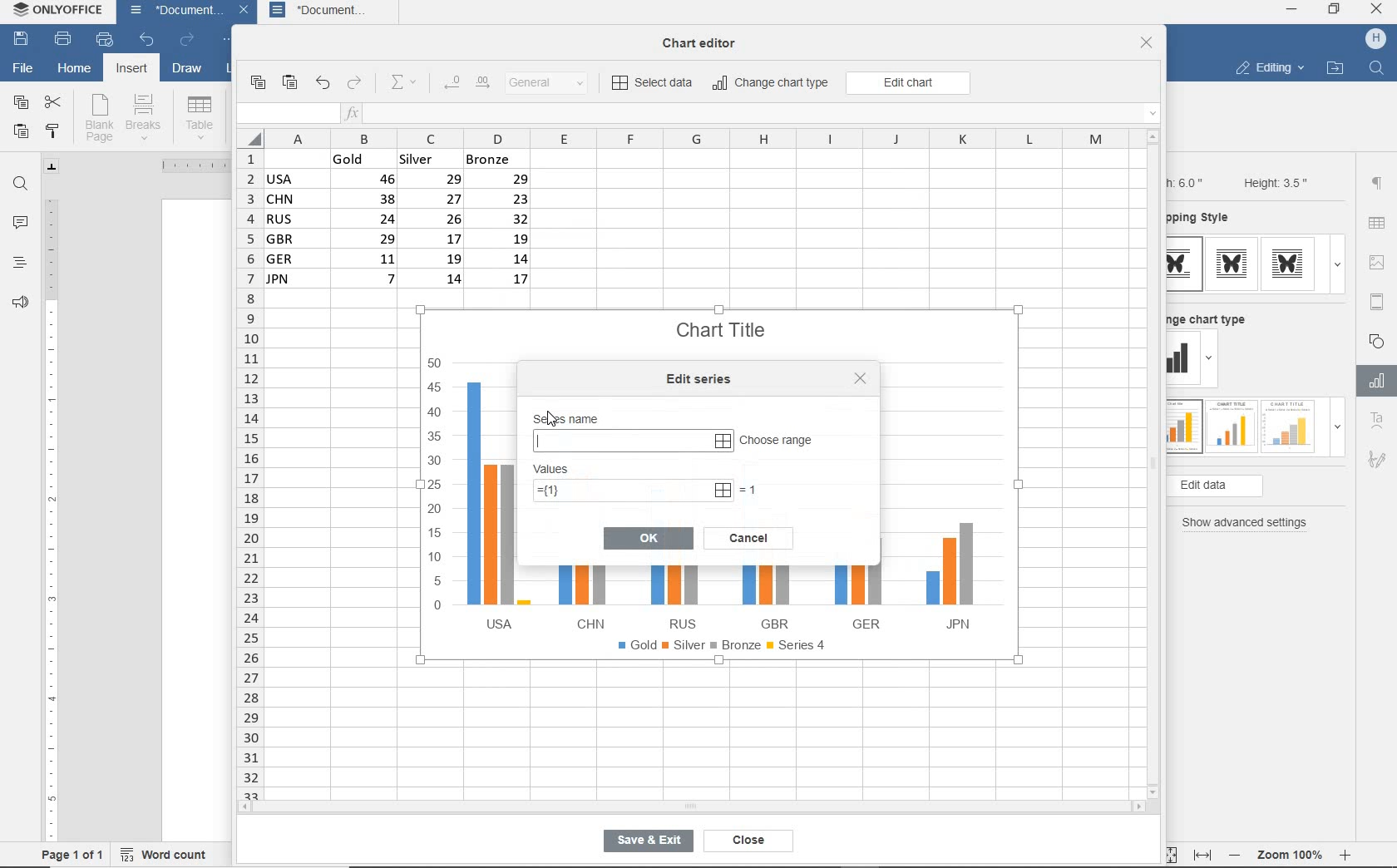 This screenshot has width=1397, height=868. What do you see at coordinates (772, 84) in the screenshot?
I see `change chart type` at bounding box center [772, 84].